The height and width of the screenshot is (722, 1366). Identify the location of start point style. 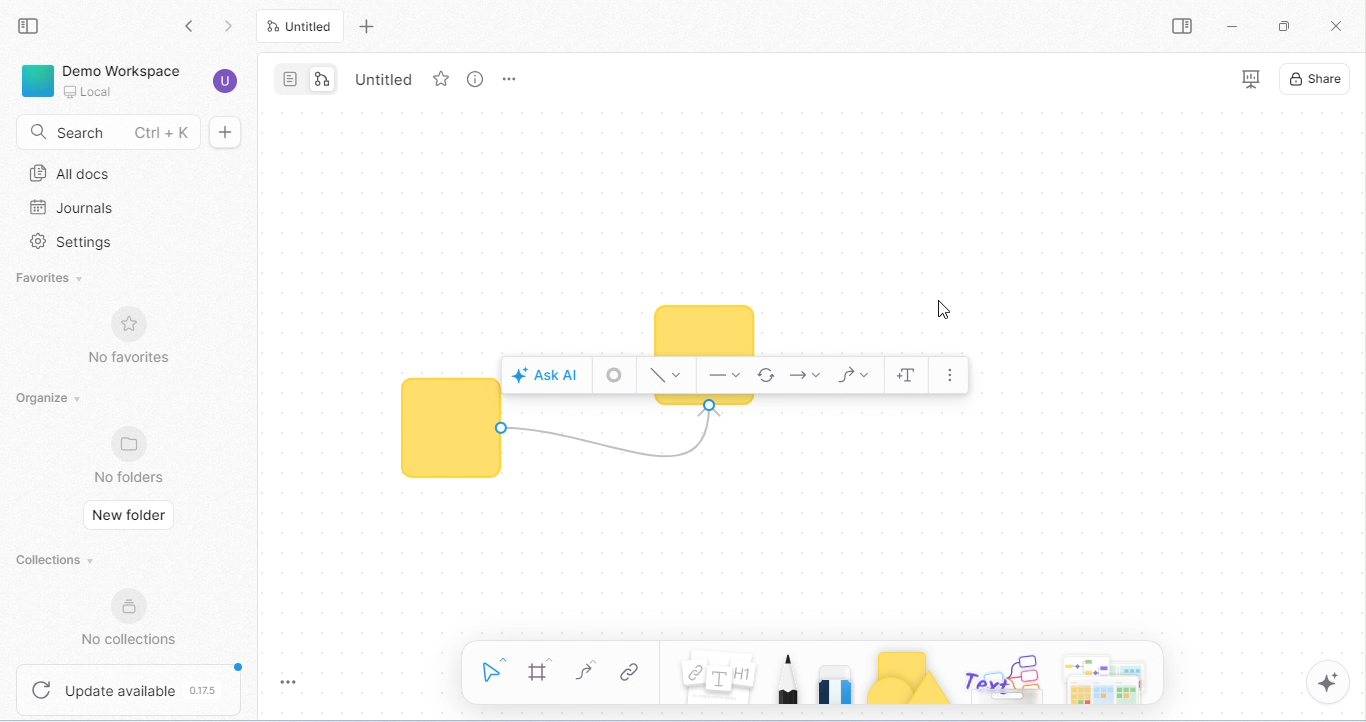
(727, 379).